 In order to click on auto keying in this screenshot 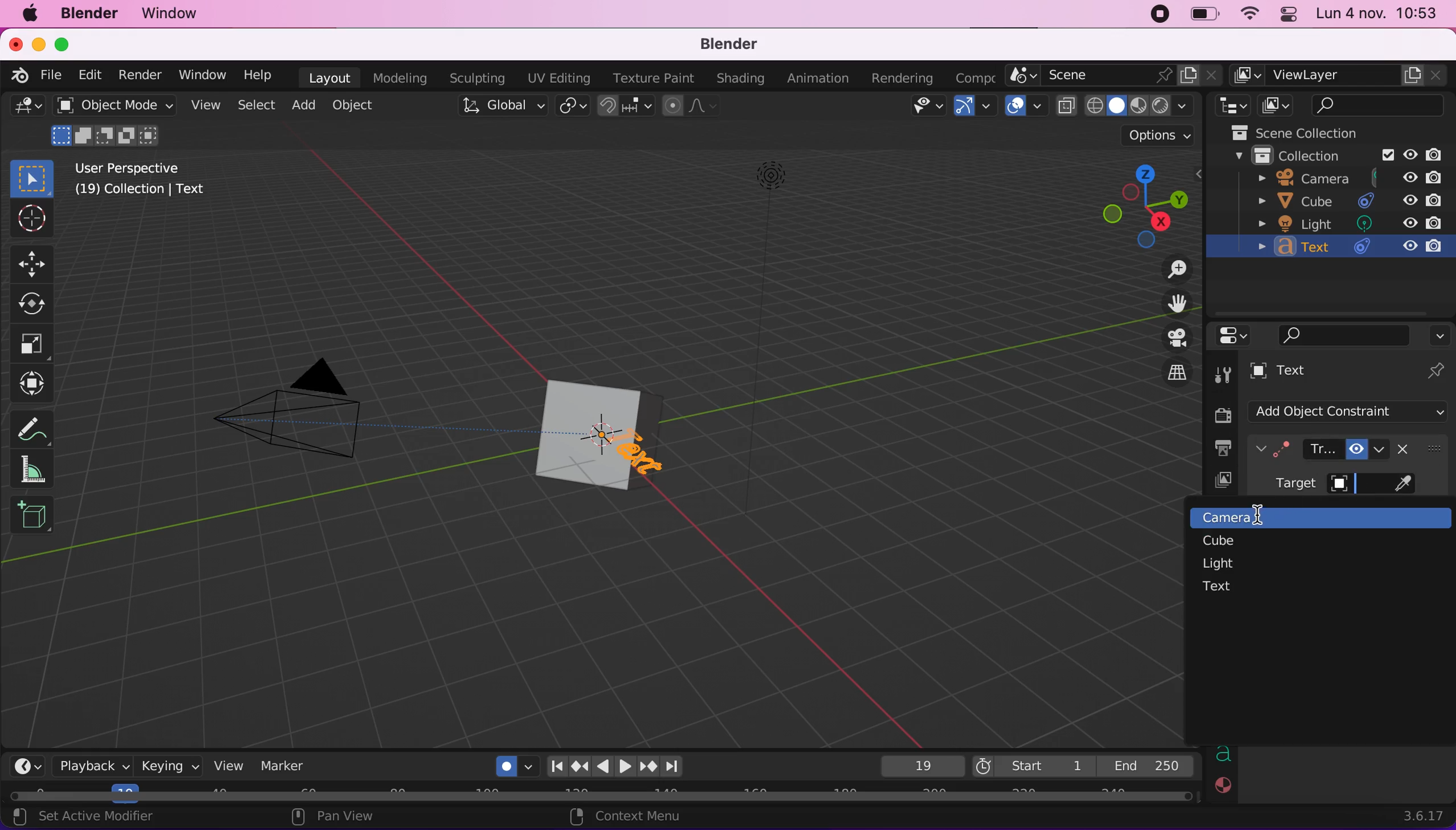, I will do `click(508, 763)`.